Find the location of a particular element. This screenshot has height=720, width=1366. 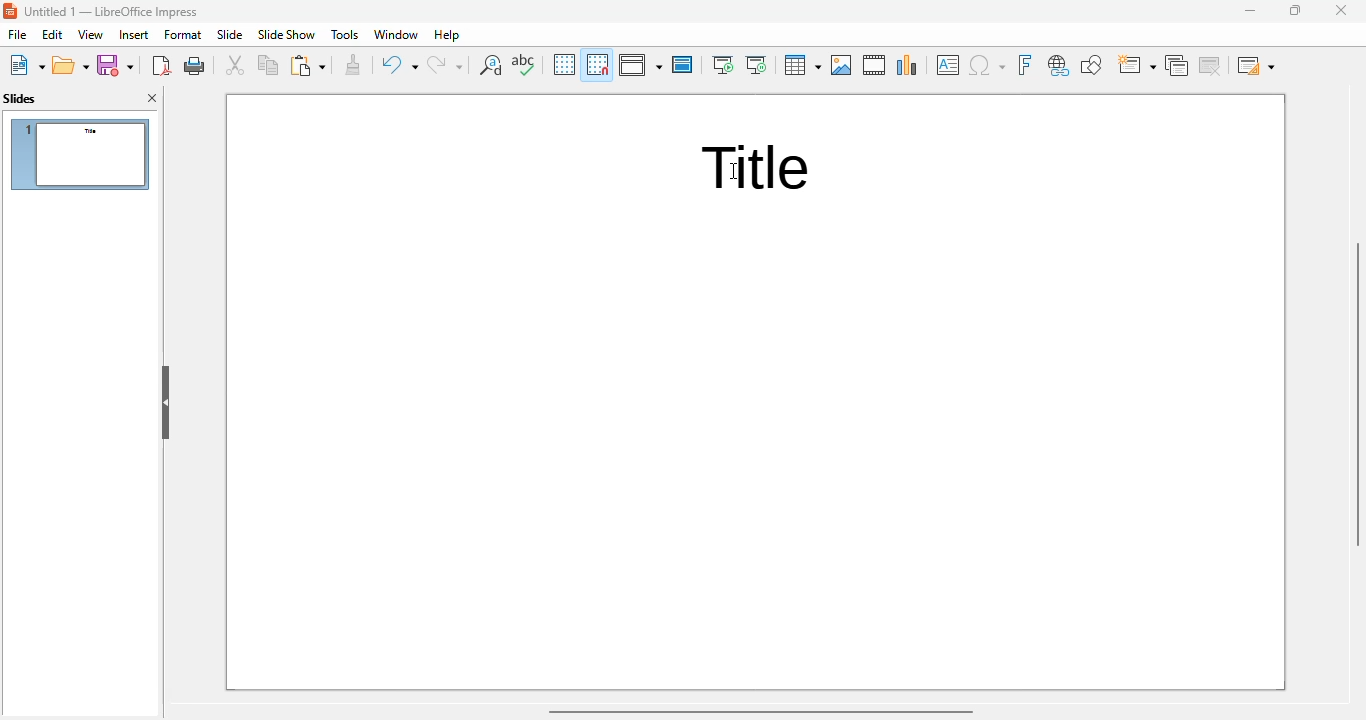

maximize is located at coordinates (1296, 11).